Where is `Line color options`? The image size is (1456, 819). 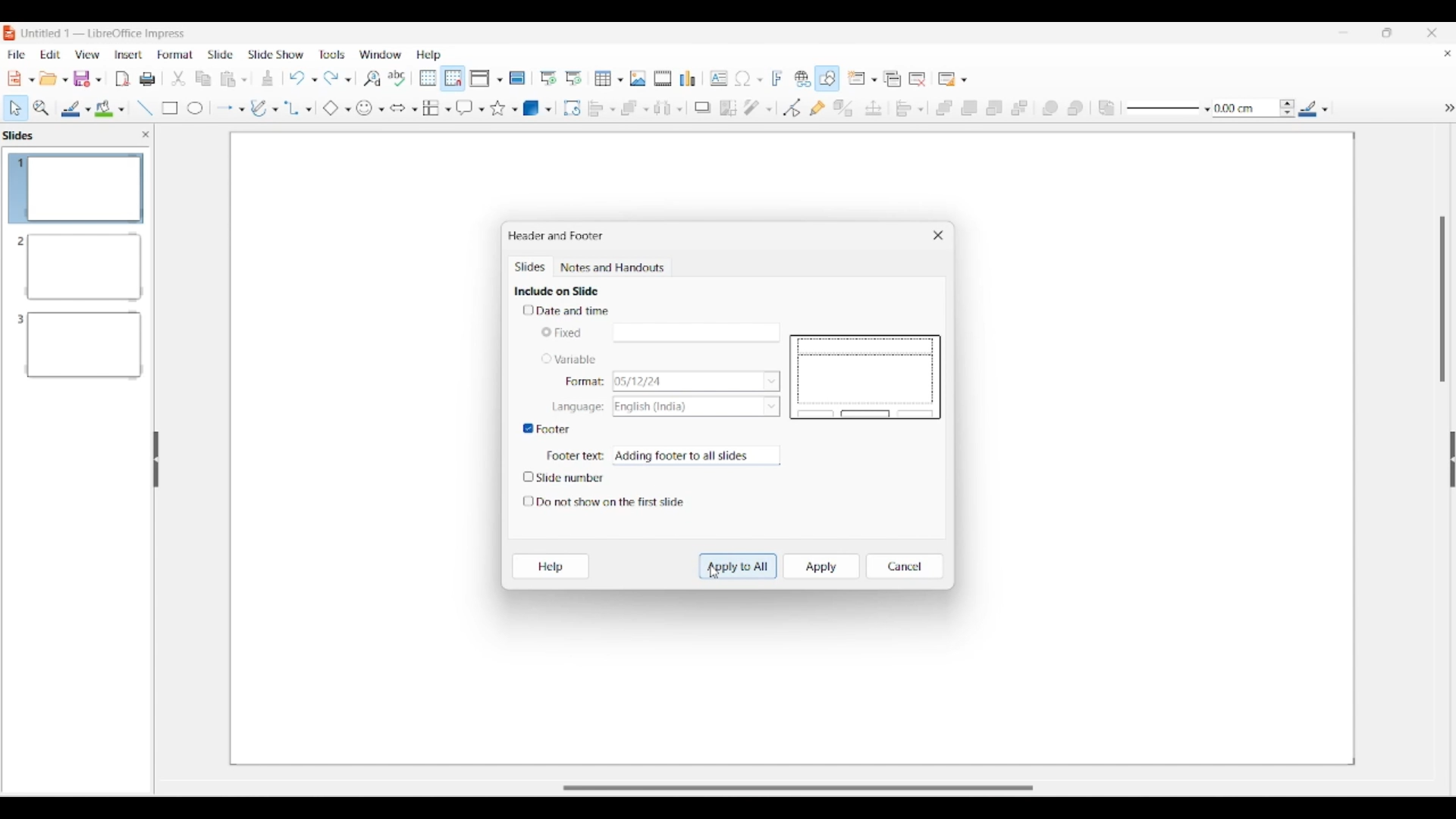 Line color options is located at coordinates (1313, 108).